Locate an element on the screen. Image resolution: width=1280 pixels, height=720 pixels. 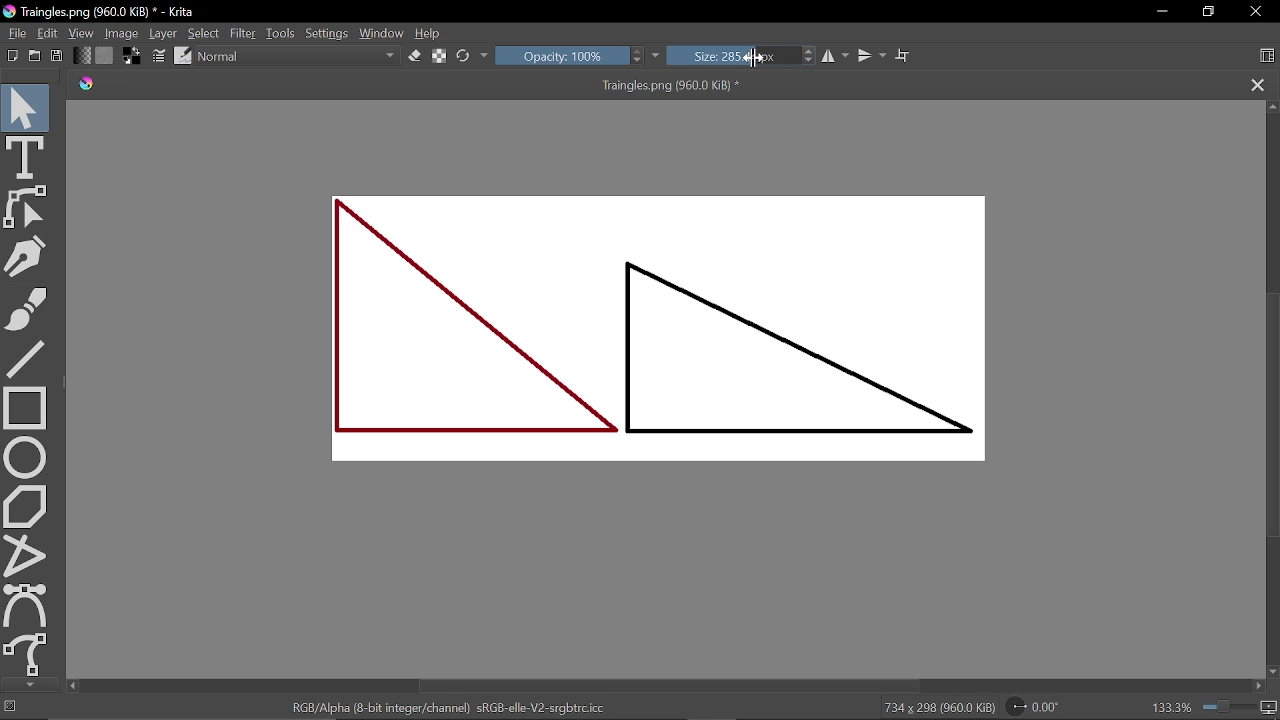
Traingles.png (960.0 KiB) * - Krita is located at coordinates (103, 13).